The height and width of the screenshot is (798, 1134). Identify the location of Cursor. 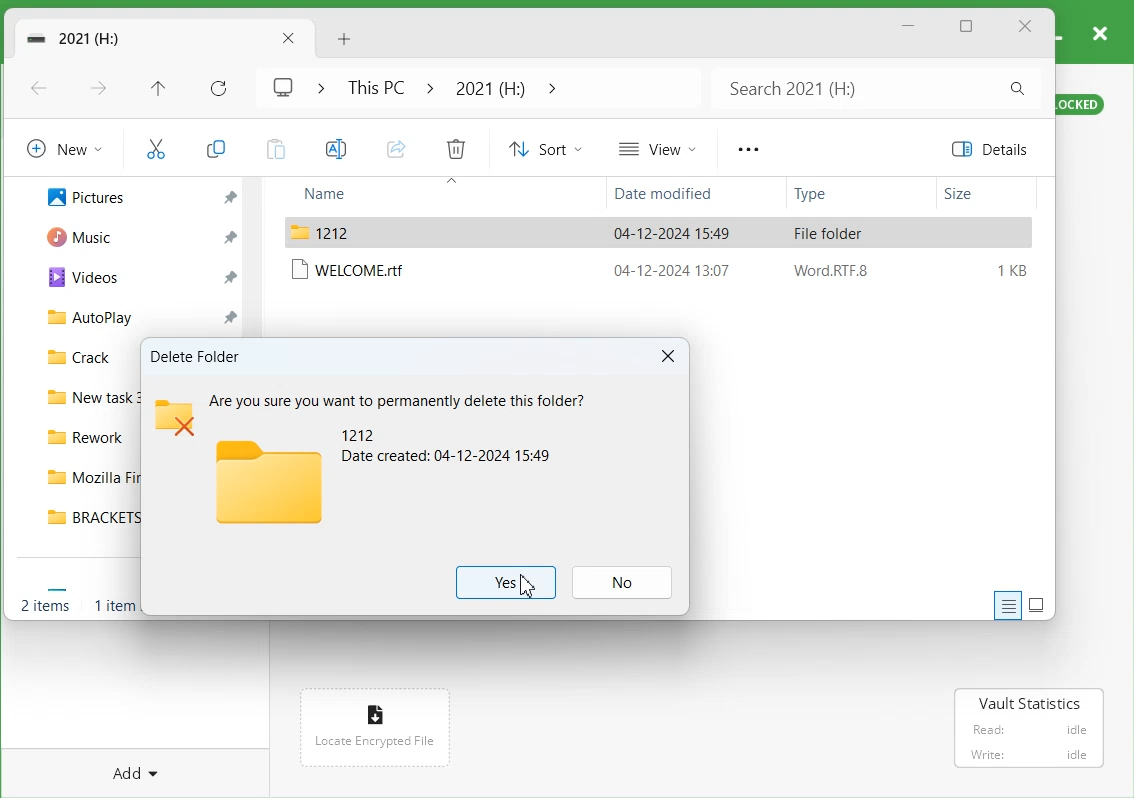
(527, 587).